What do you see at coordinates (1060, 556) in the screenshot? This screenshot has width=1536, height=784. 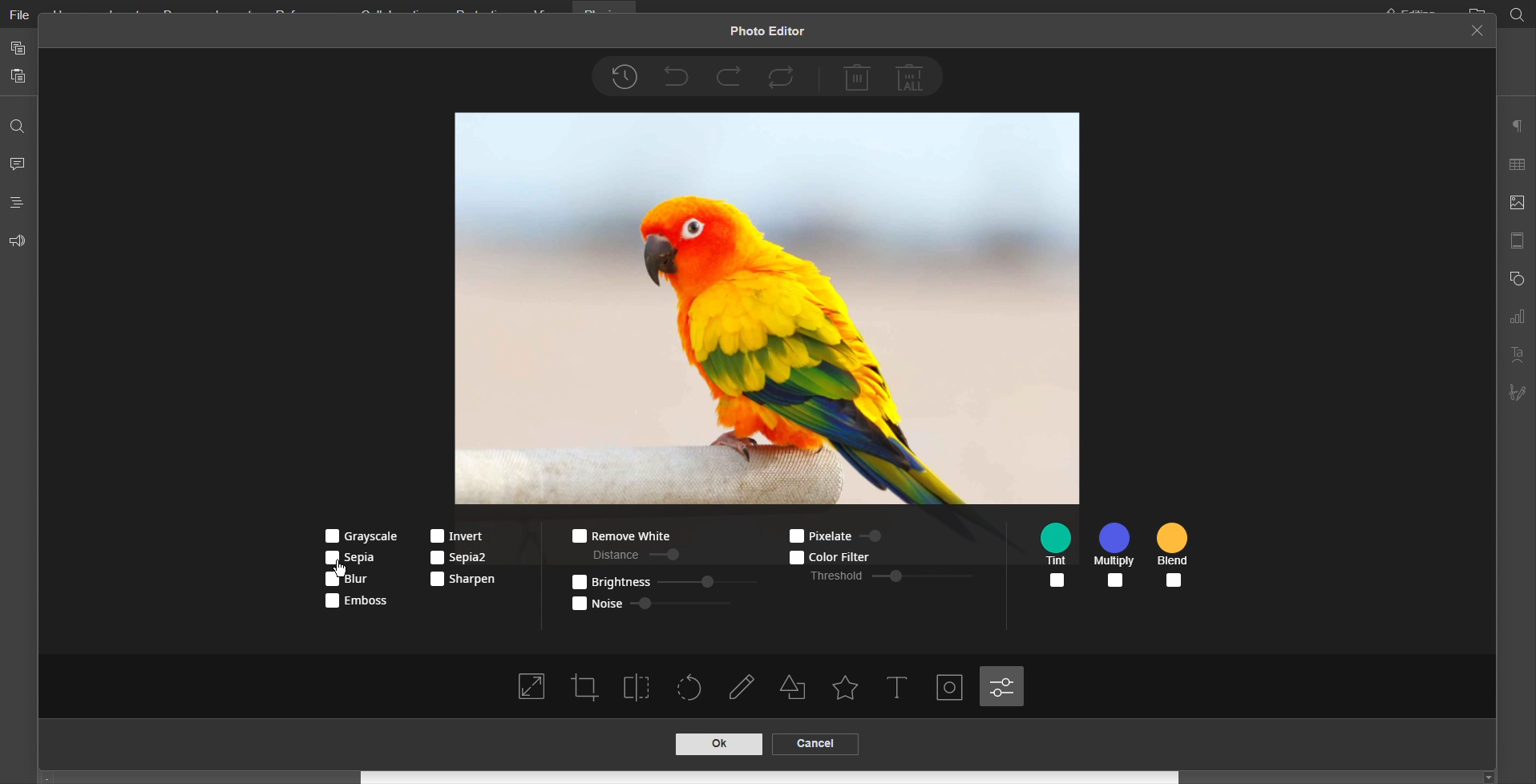 I see `Tint` at bounding box center [1060, 556].